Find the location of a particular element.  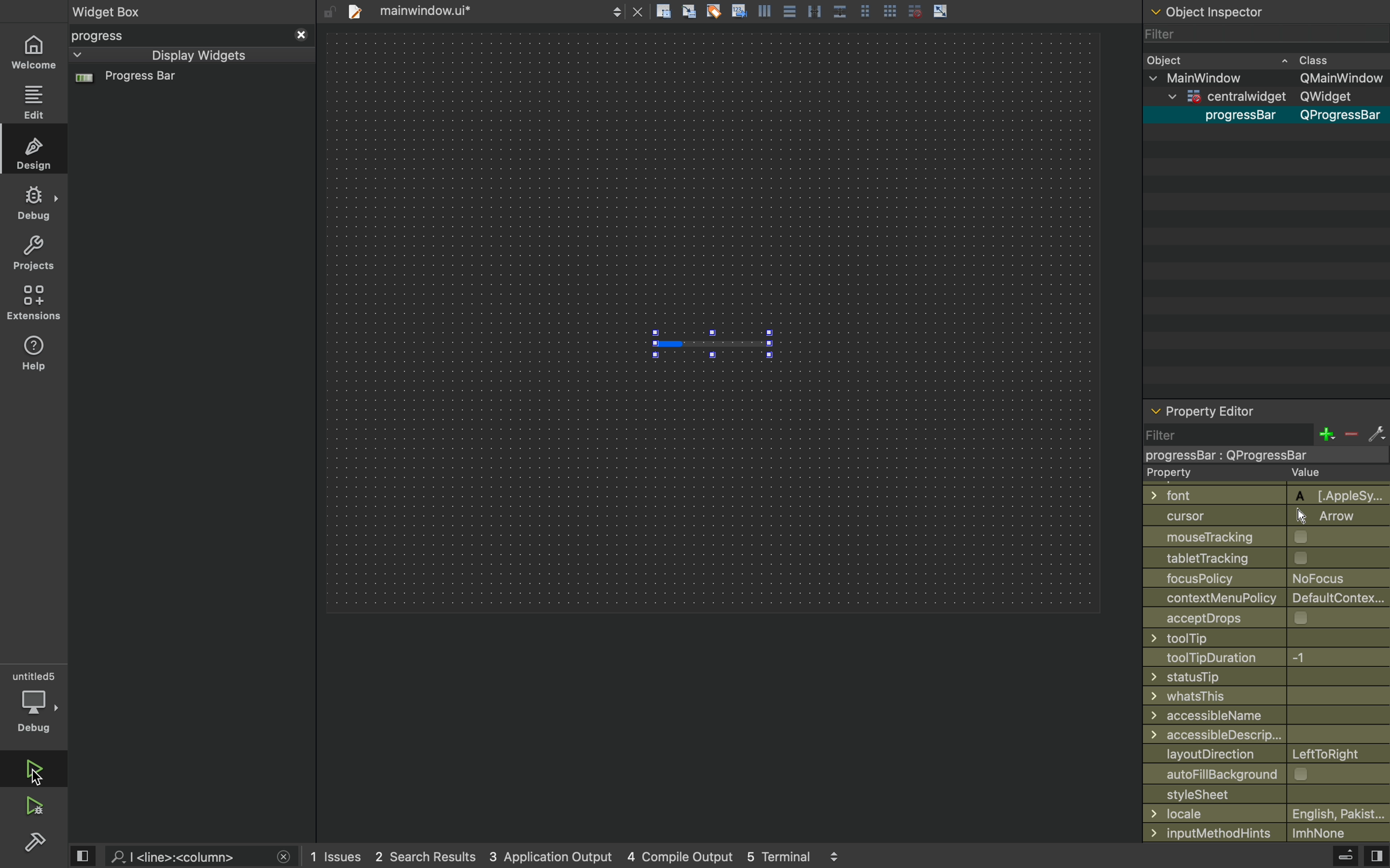

font is located at coordinates (1260, 494).